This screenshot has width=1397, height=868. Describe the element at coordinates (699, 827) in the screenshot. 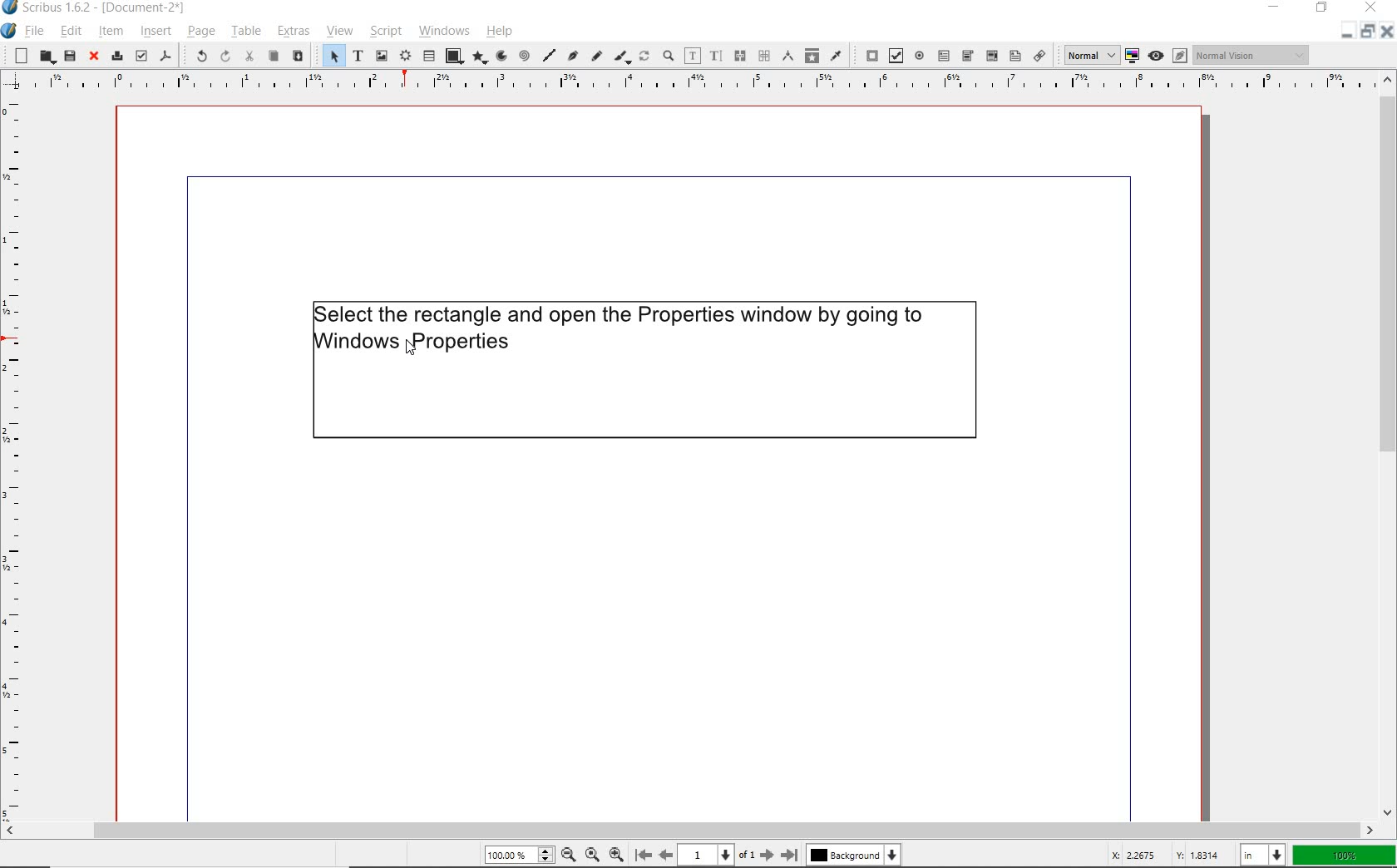

I see `Scroll Bar` at that location.